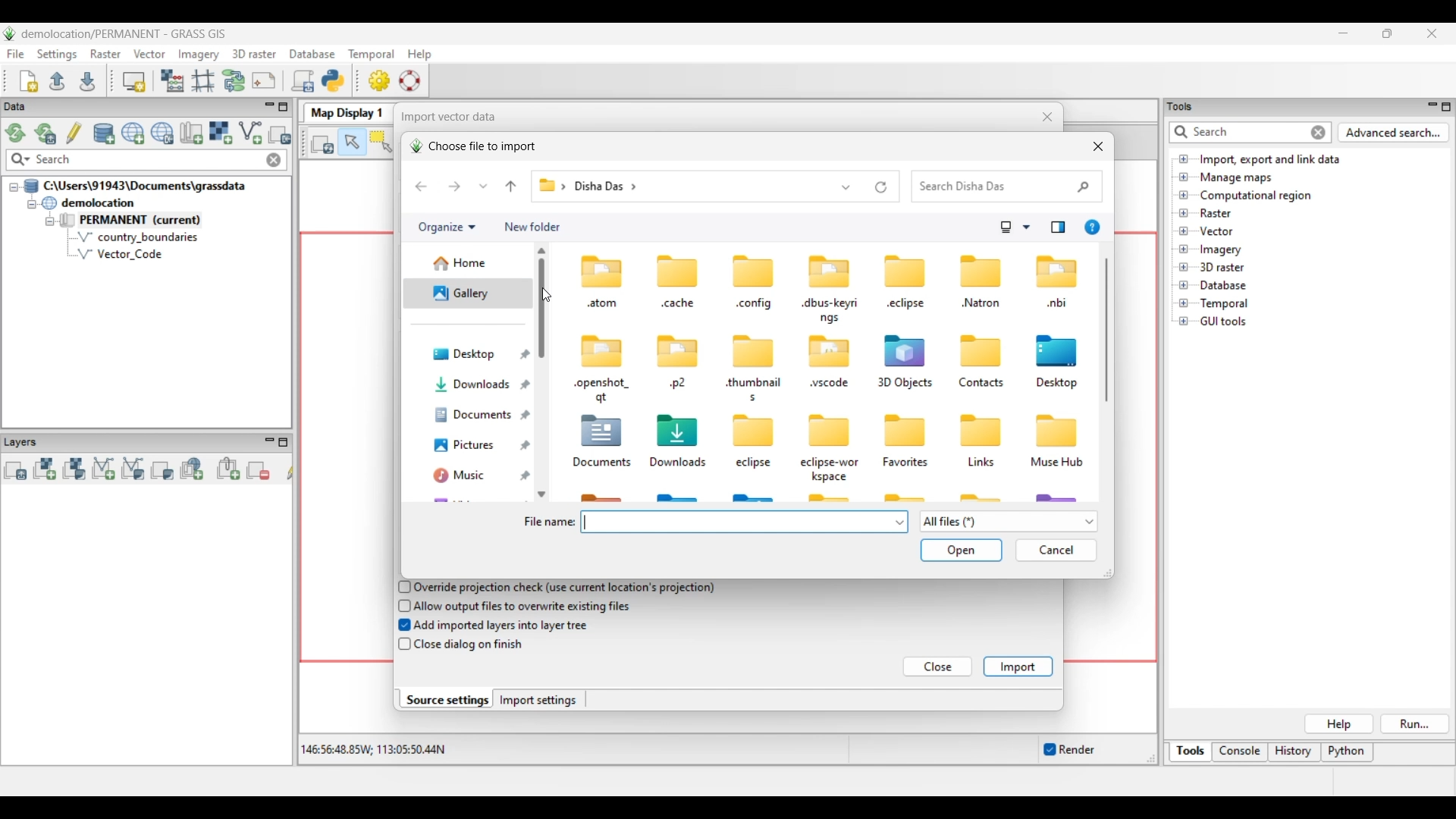 This screenshot has height=819, width=1456. I want to click on Maximize Tools panel, so click(1446, 107).